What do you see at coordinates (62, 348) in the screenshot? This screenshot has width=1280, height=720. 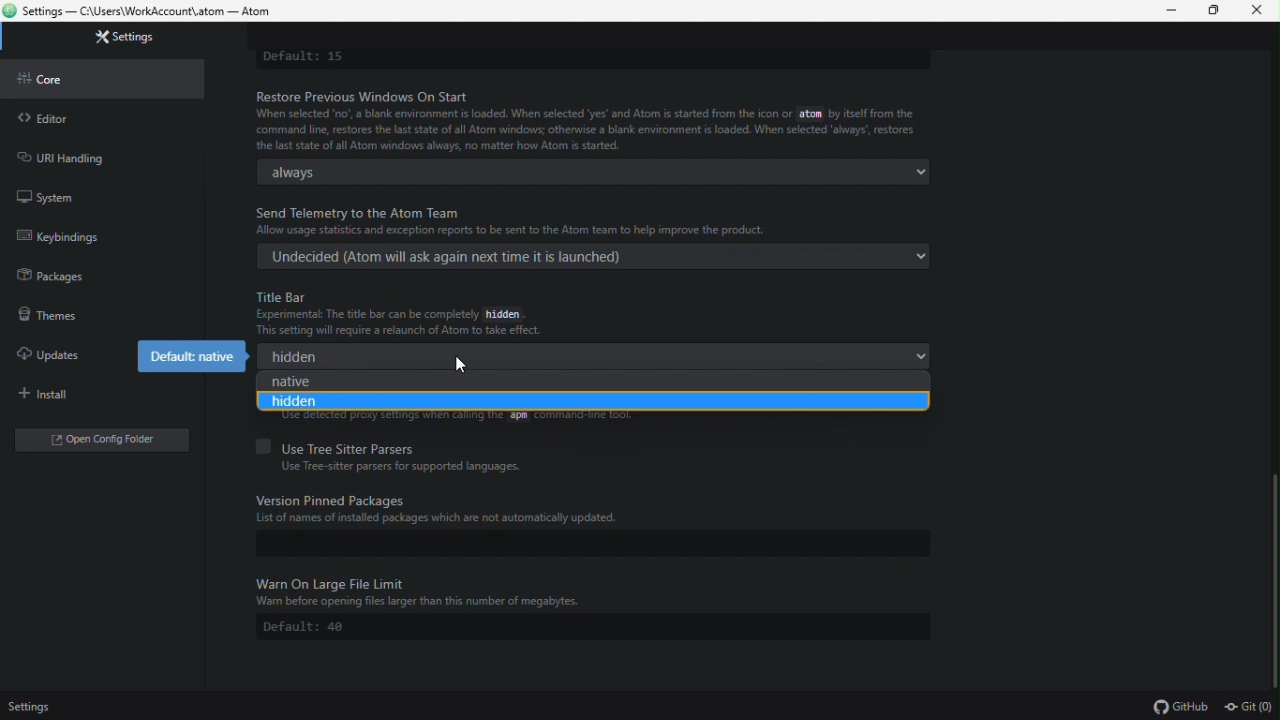 I see `Updates` at bounding box center [62, 348].